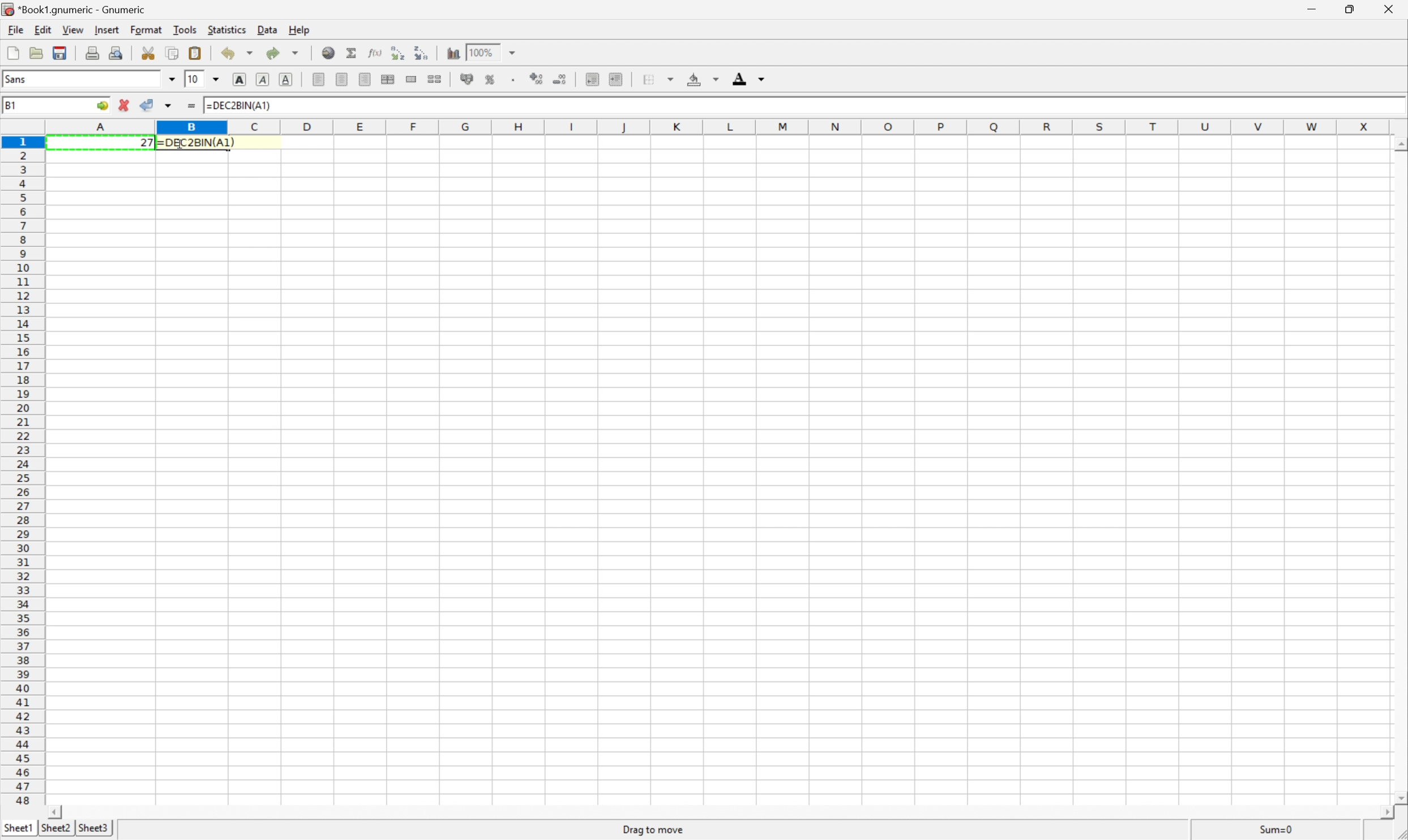  Describe the element at coordinates (238, 106) in the screenshot. I see `=DEC2BIN(A1)` at that location.